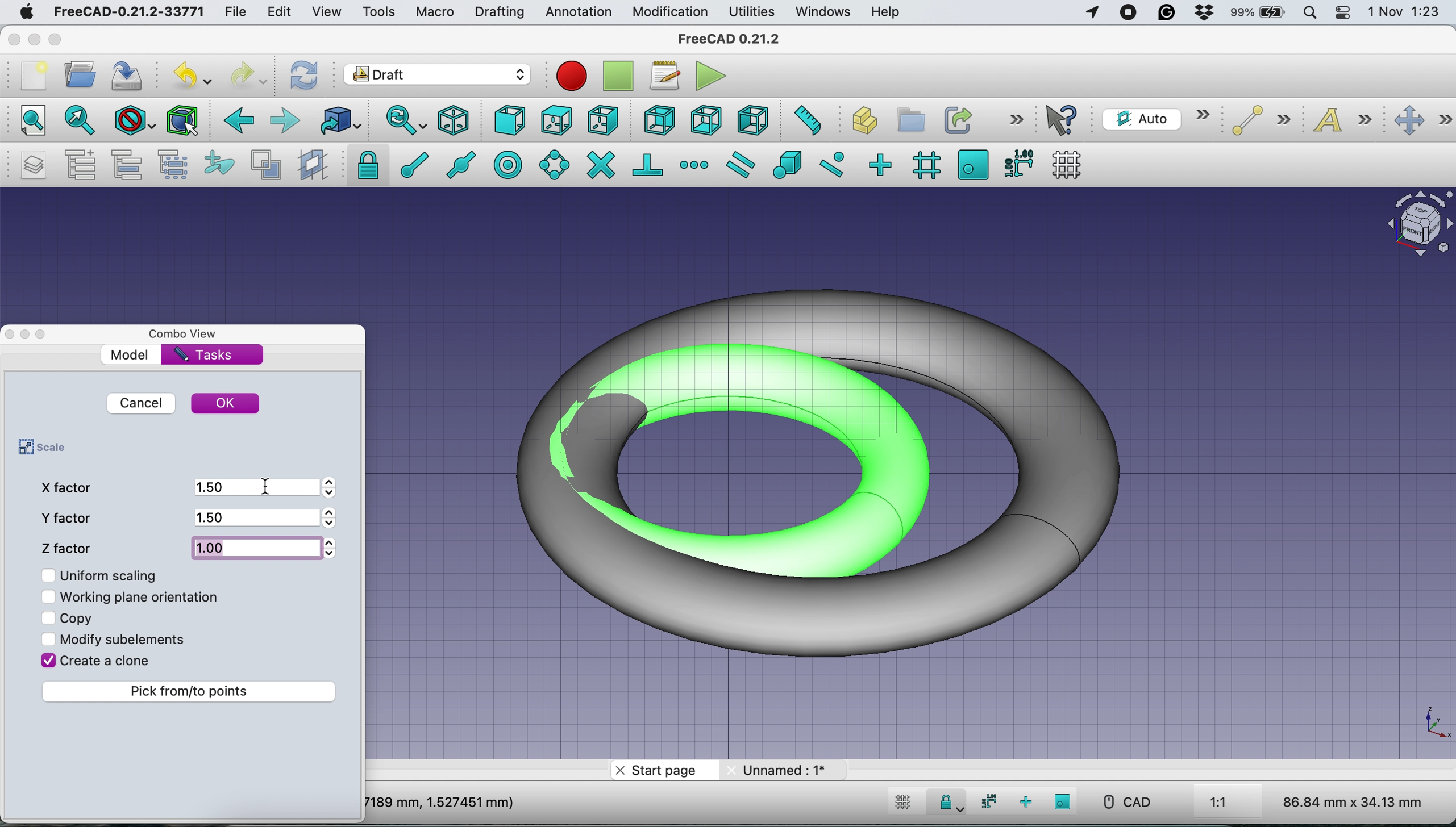  I want to click on rear, so click(658, 122).